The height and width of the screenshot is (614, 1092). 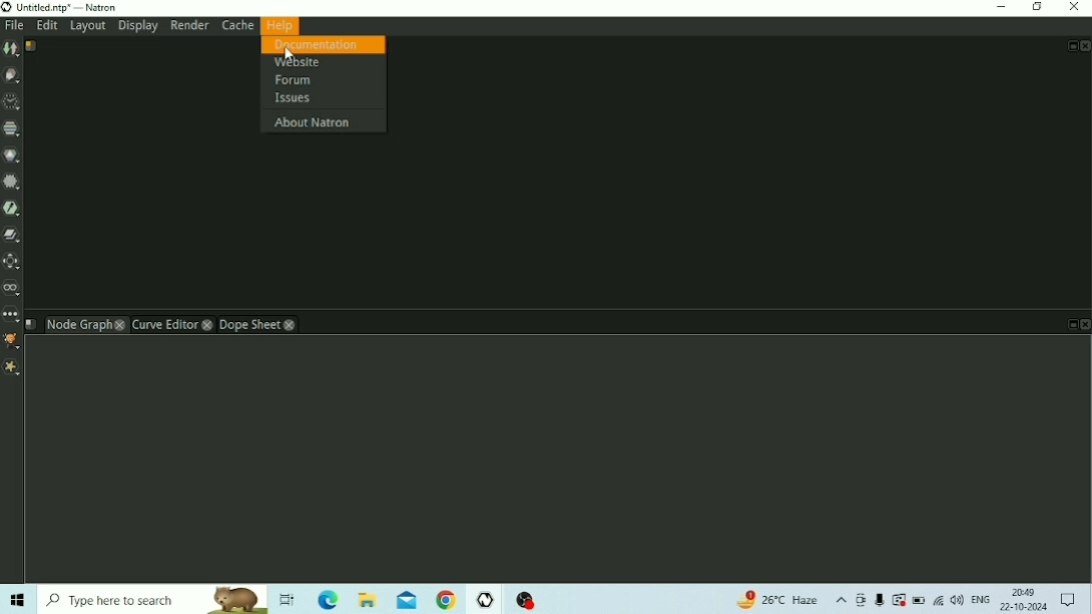 I want to click on Time, so click(x=1024, y=592).